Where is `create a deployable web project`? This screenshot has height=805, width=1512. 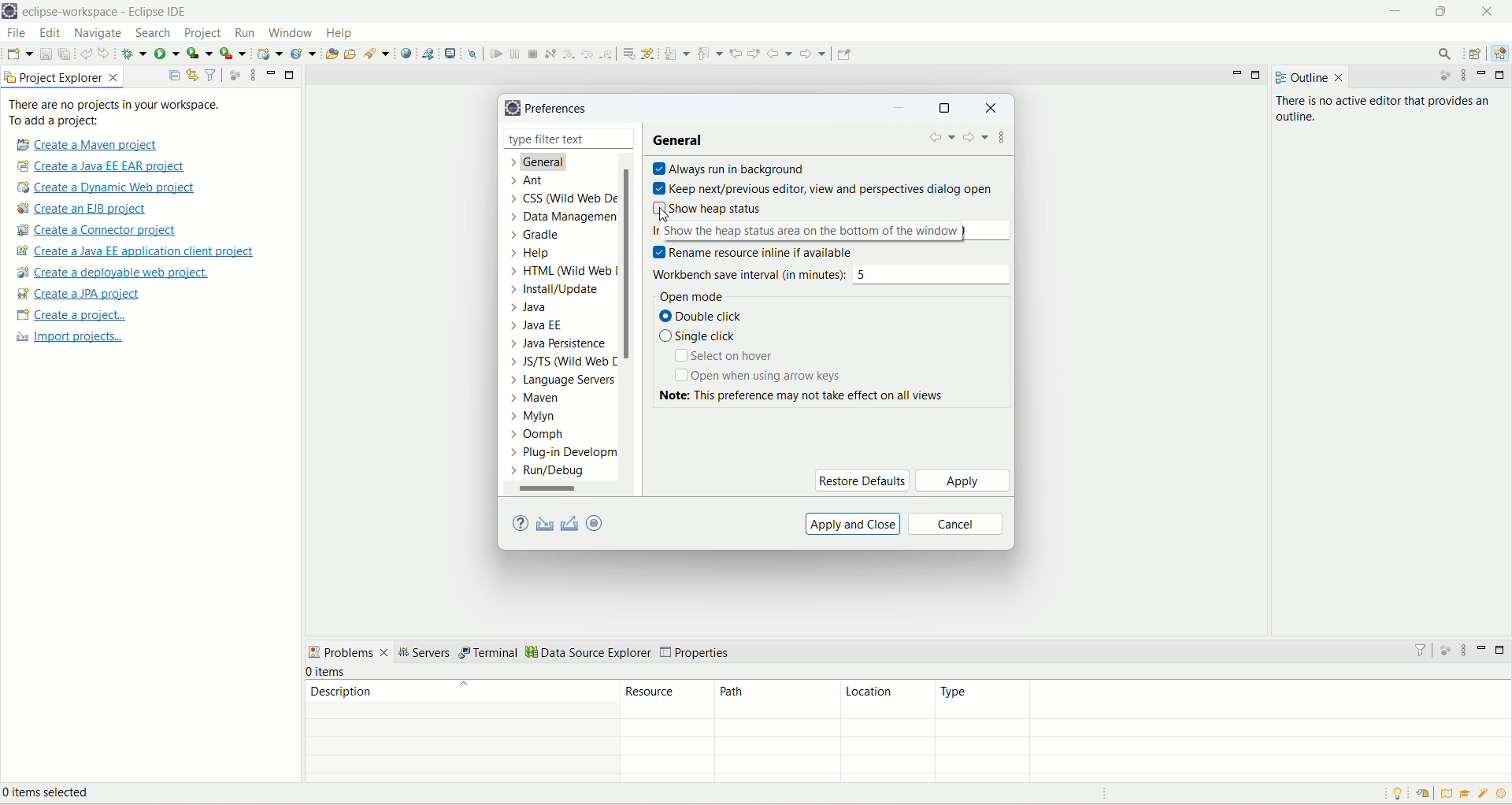
create a deployable web project is located at coordinates (114, 273).